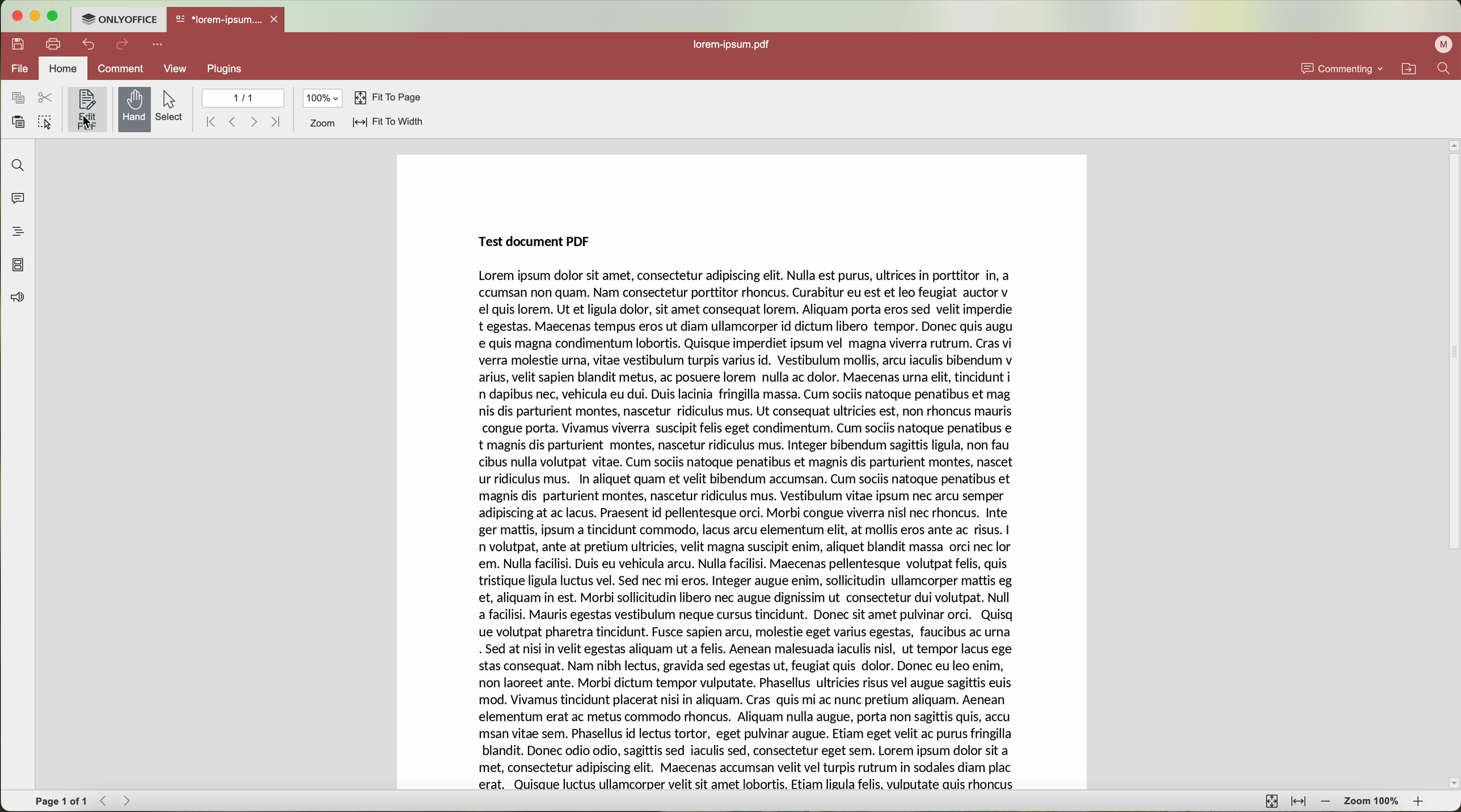 The width and height of the screenshot is (1461, 812). I want to click on profile, so click(1441, 45).